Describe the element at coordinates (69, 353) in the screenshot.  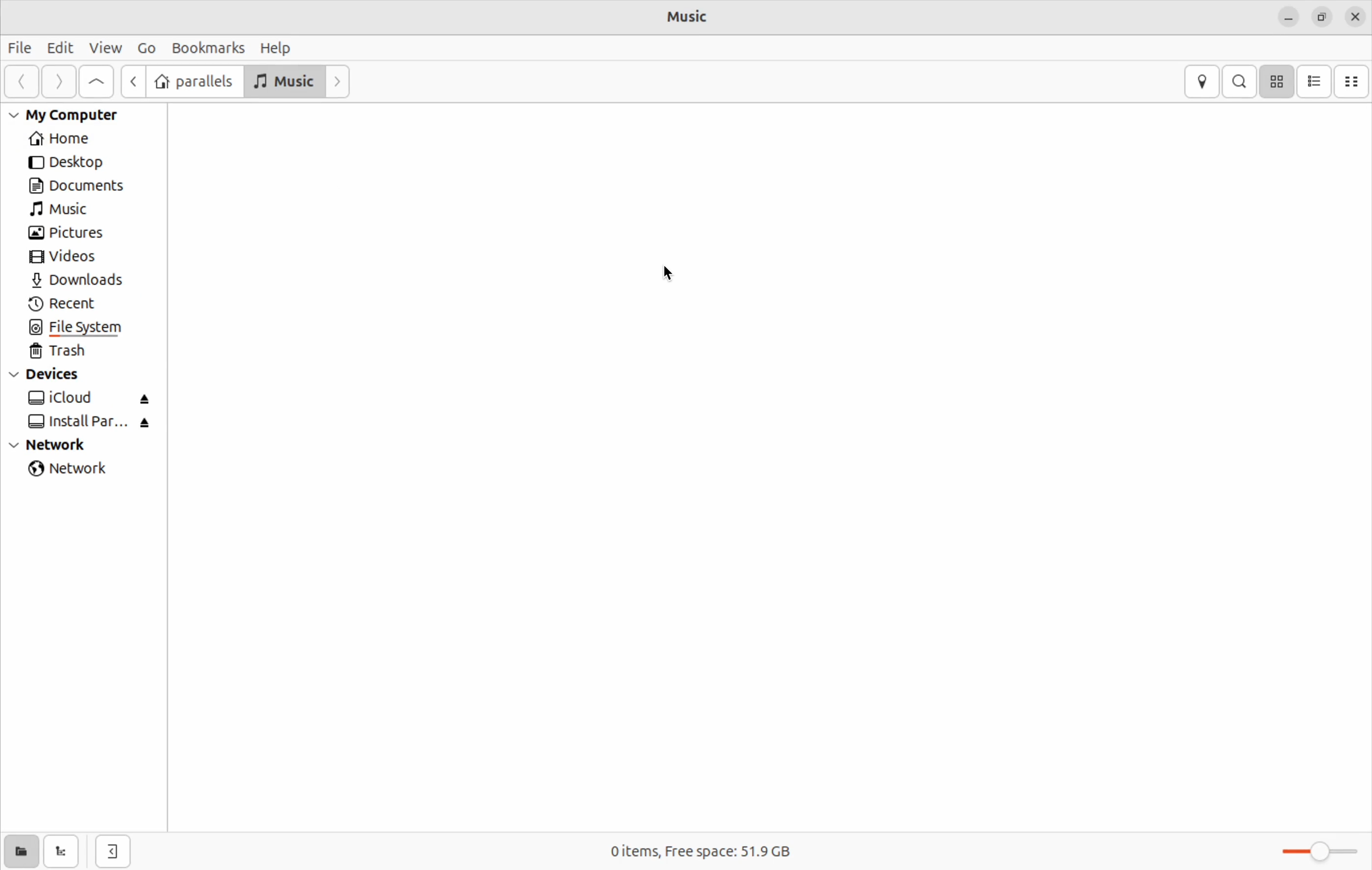
I see `trash` at that location.